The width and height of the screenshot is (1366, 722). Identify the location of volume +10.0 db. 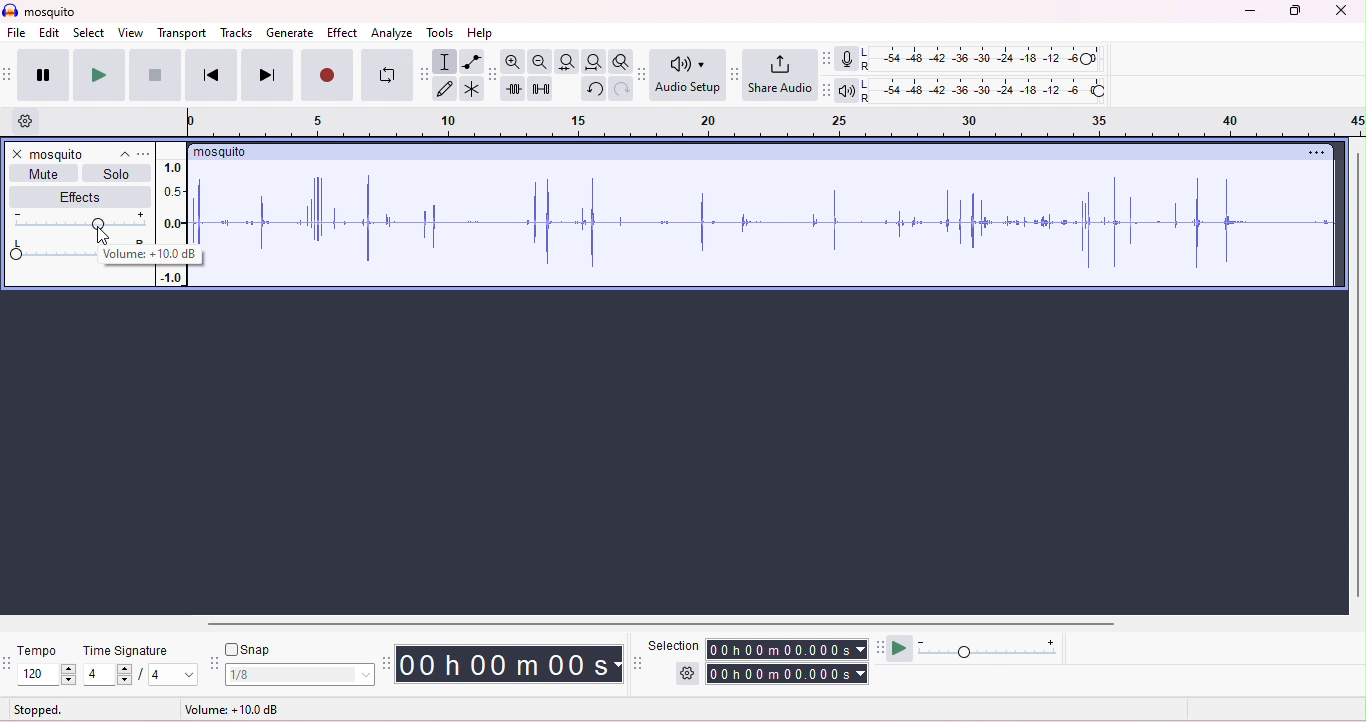
(233, 709).